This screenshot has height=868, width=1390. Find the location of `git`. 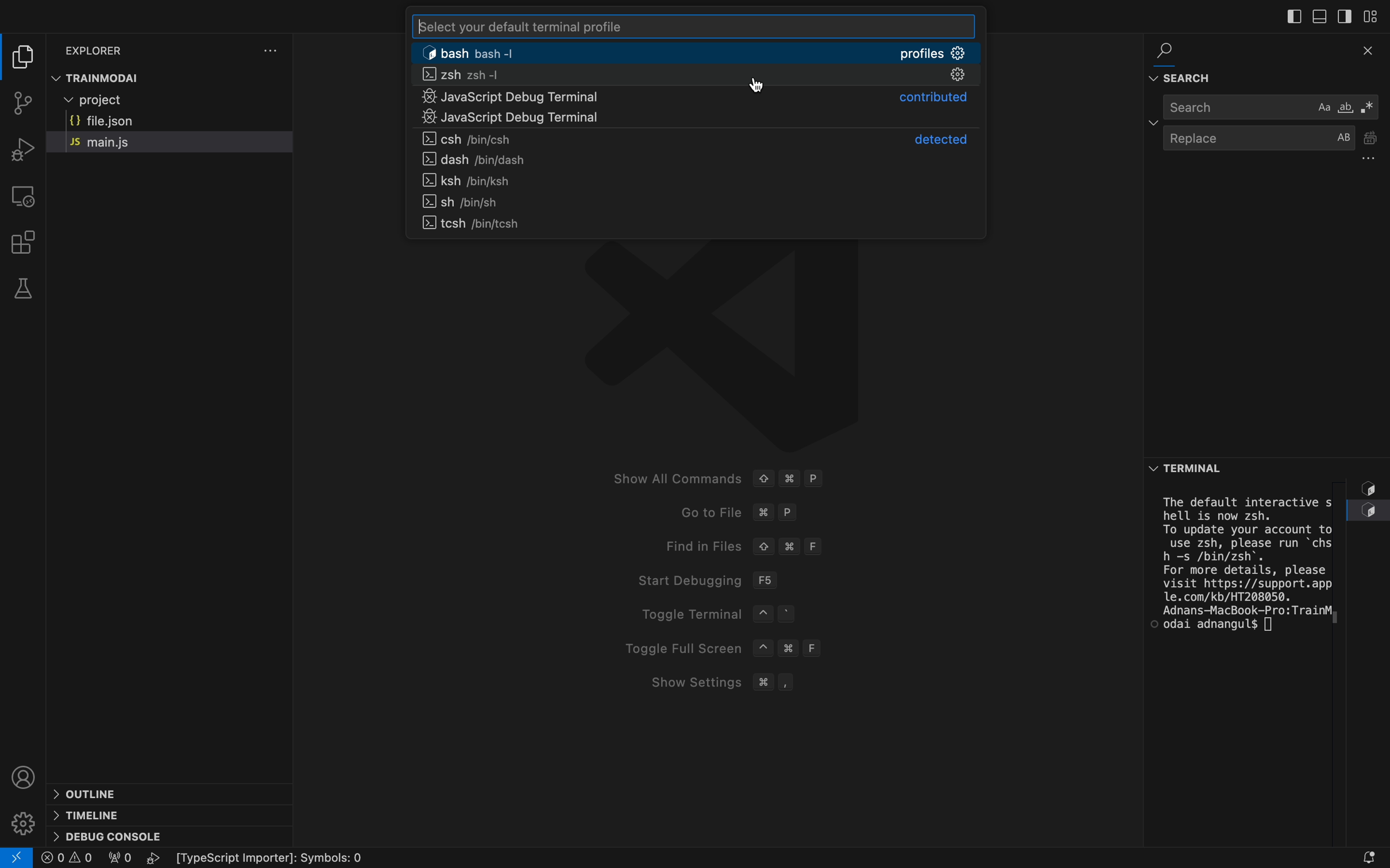

git is located at coordinates (25, 105).